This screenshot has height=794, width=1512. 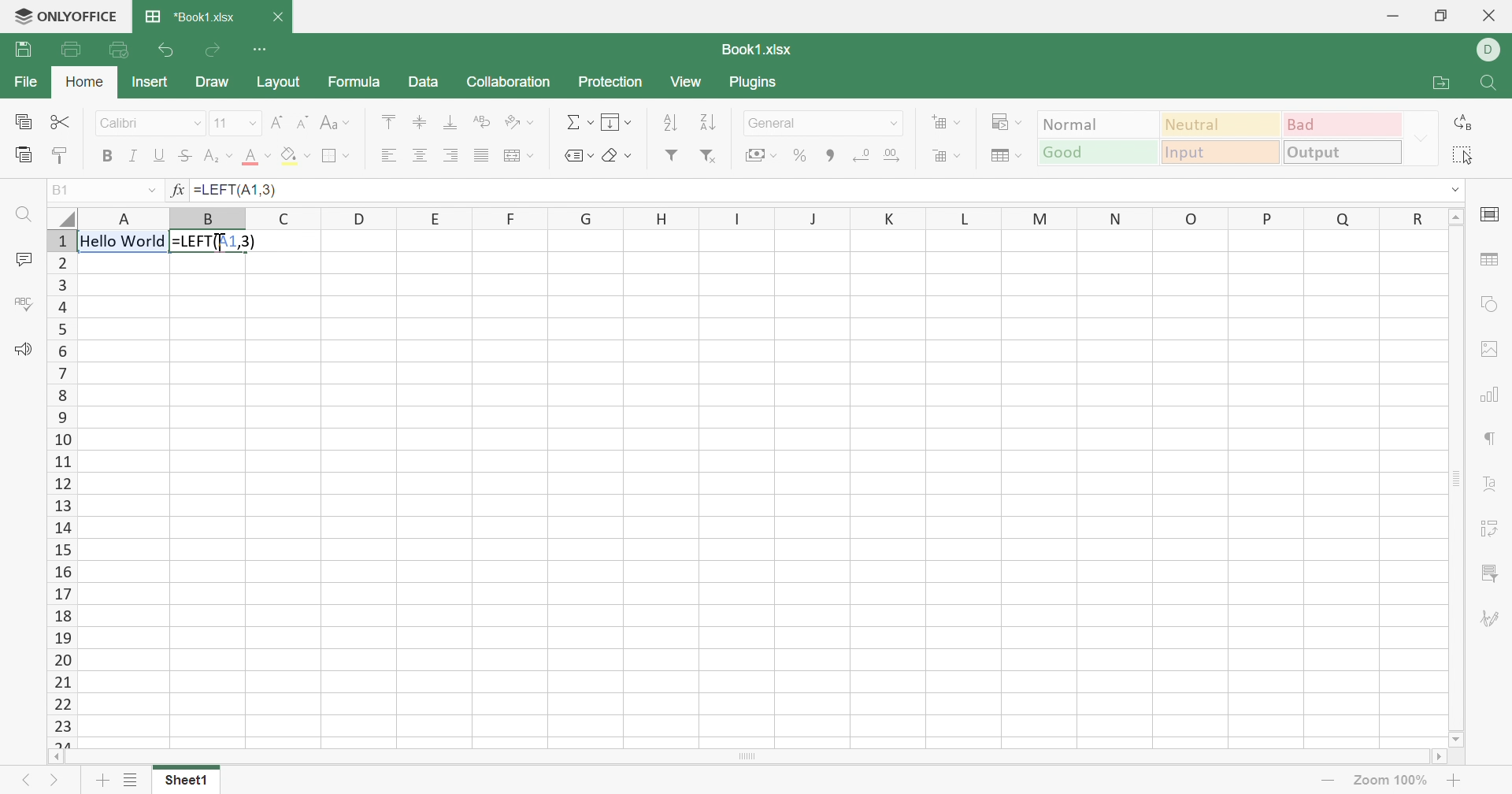 What do you see at coordinates (580, 123) in the screenshot?
I see `Summation` at bounding box center [580, 123].